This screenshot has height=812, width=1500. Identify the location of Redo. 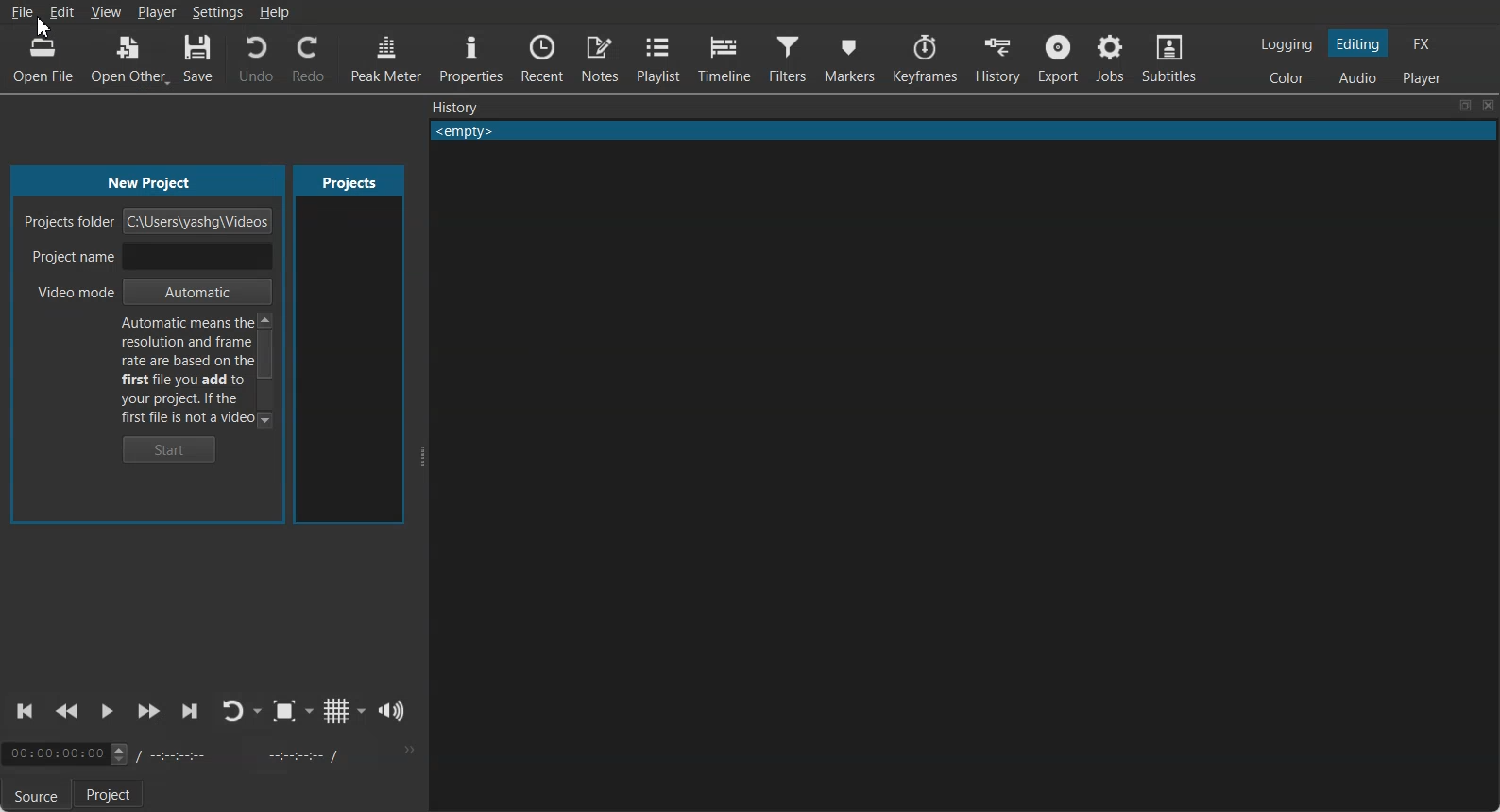
(309, 58).